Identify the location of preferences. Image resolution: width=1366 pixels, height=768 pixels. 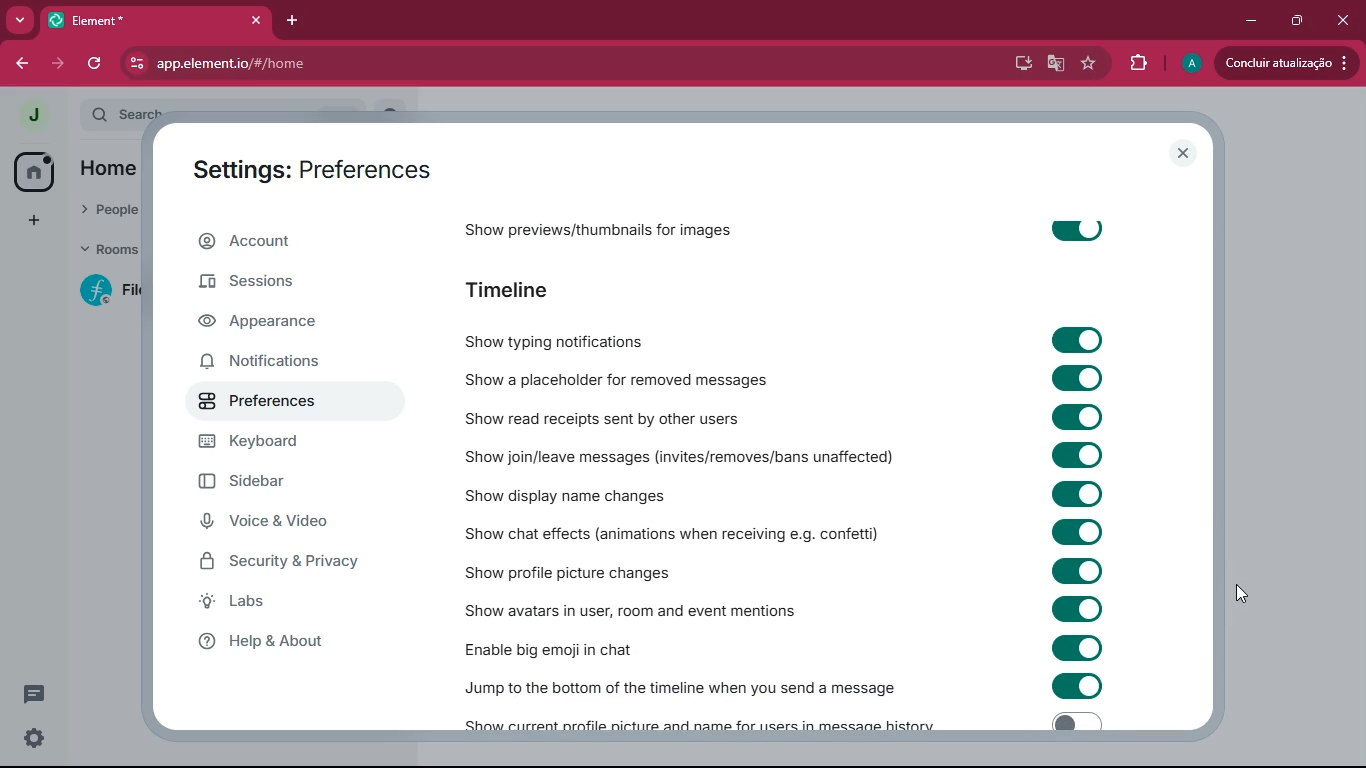
(281, 400).